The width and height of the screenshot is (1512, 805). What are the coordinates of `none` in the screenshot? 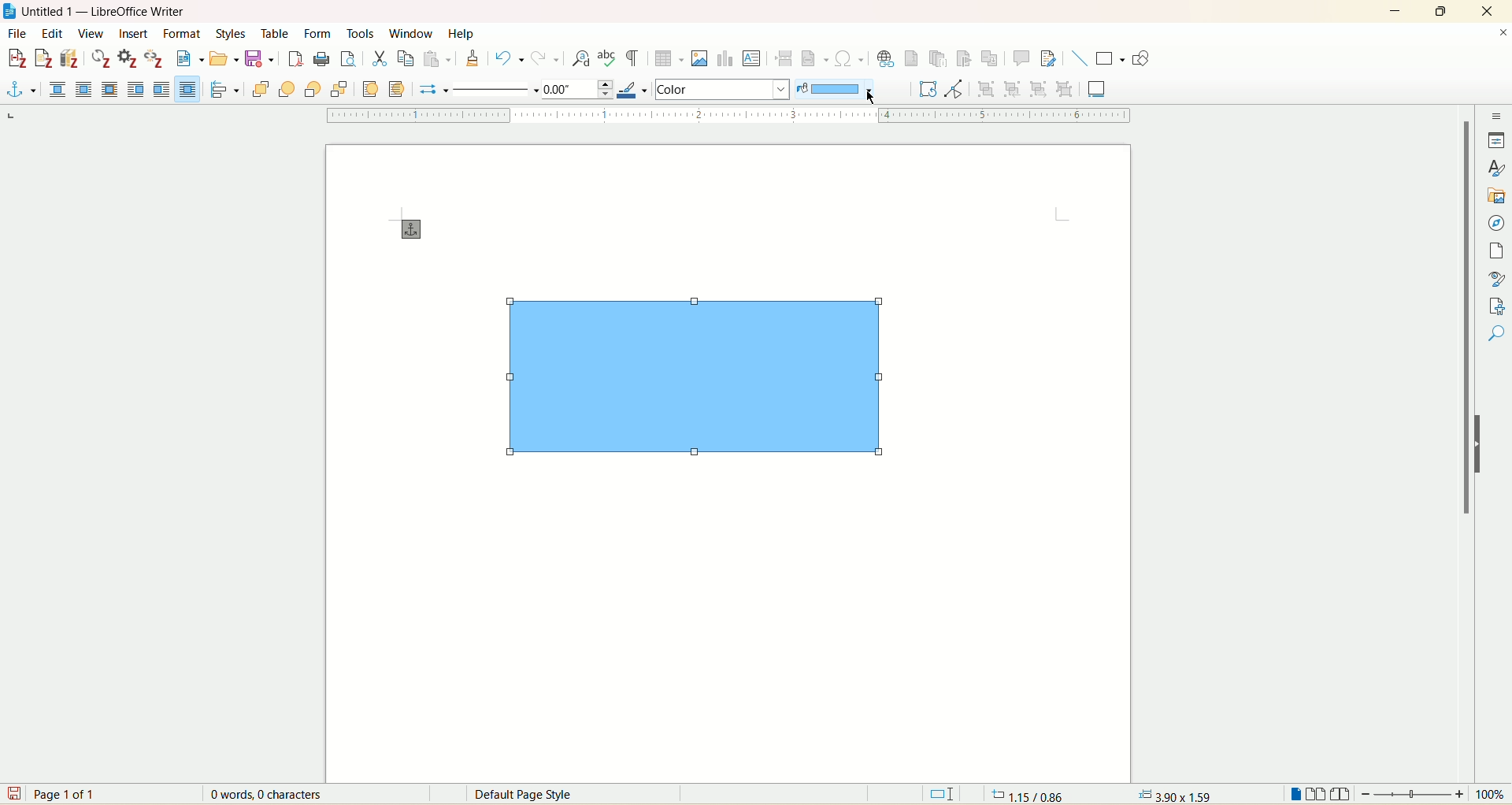 It's located at (59, 89).